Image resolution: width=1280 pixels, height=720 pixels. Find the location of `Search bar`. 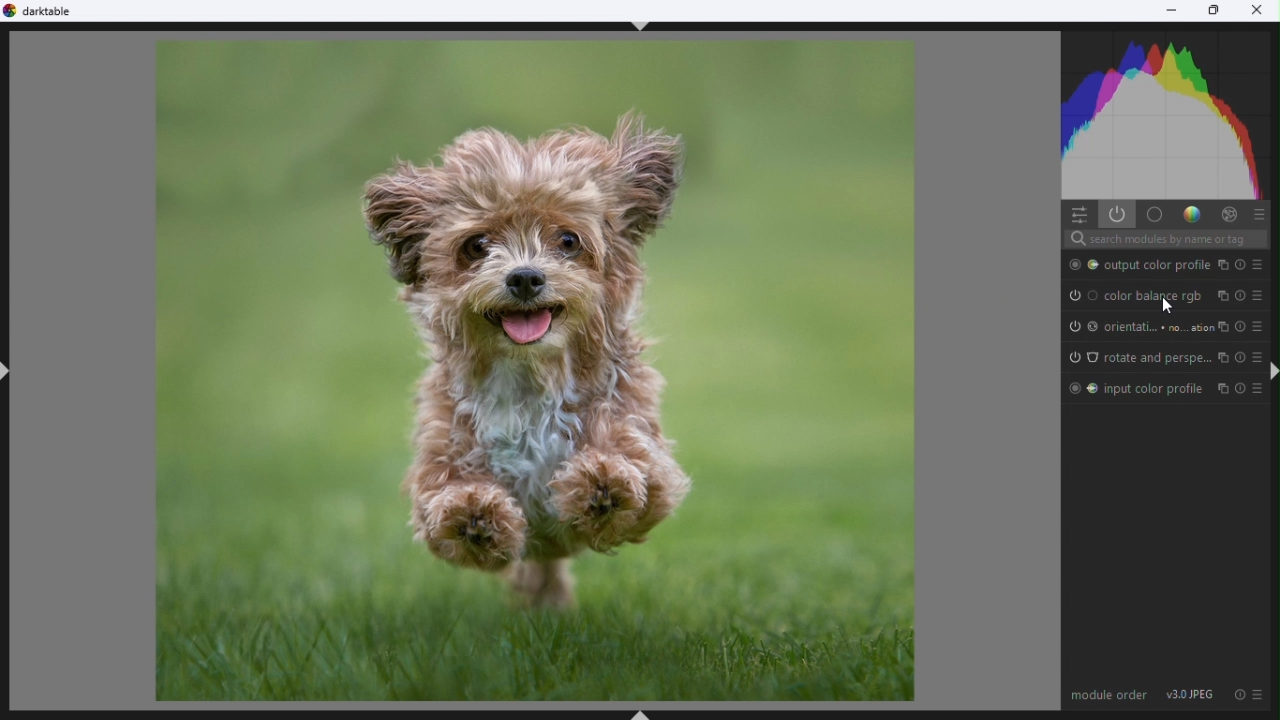

Search bar is located at coordinates (1165, 239).